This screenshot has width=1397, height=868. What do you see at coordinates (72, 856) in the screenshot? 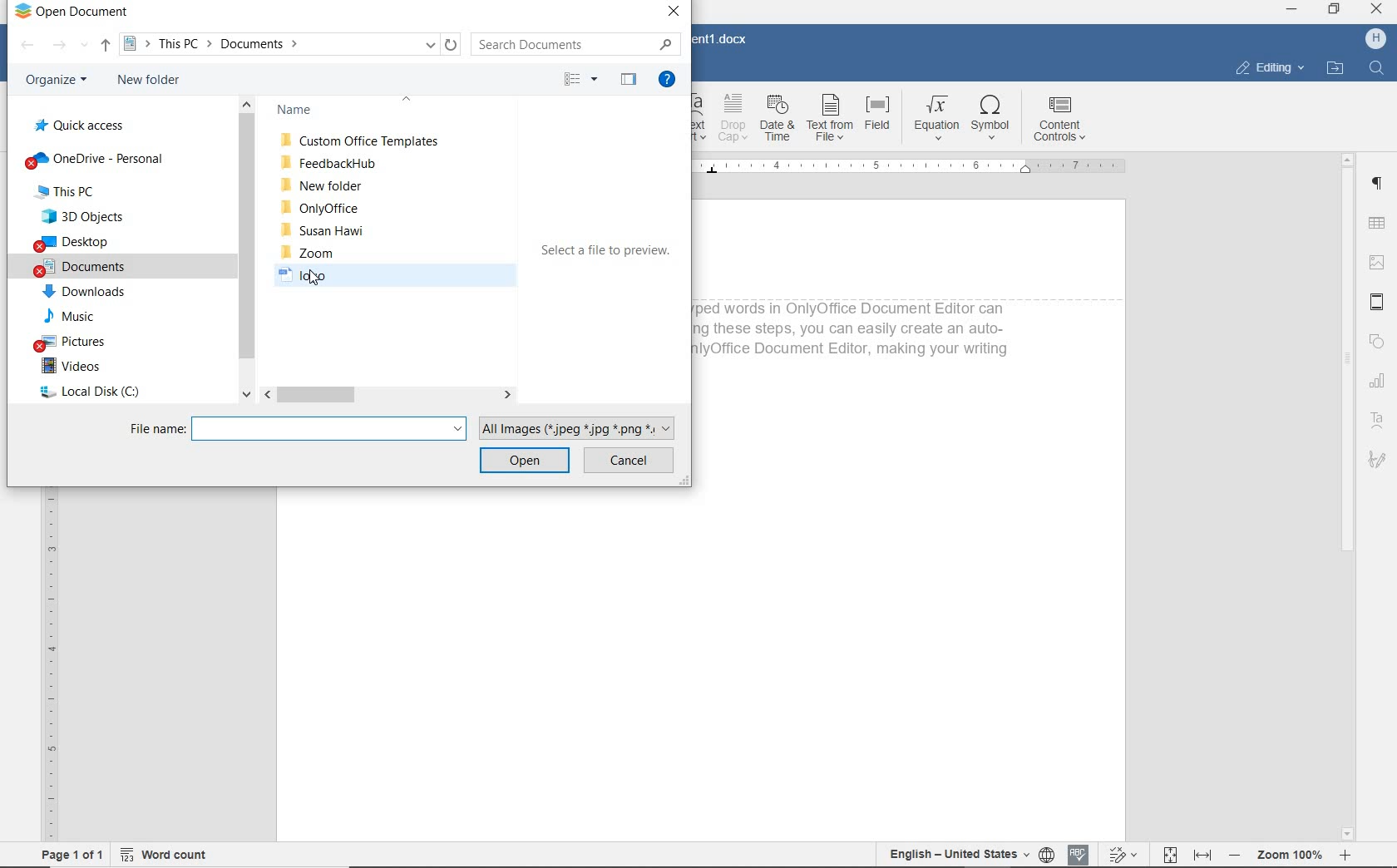
I see `page 1 of 1` at bounding box center [72, 856].